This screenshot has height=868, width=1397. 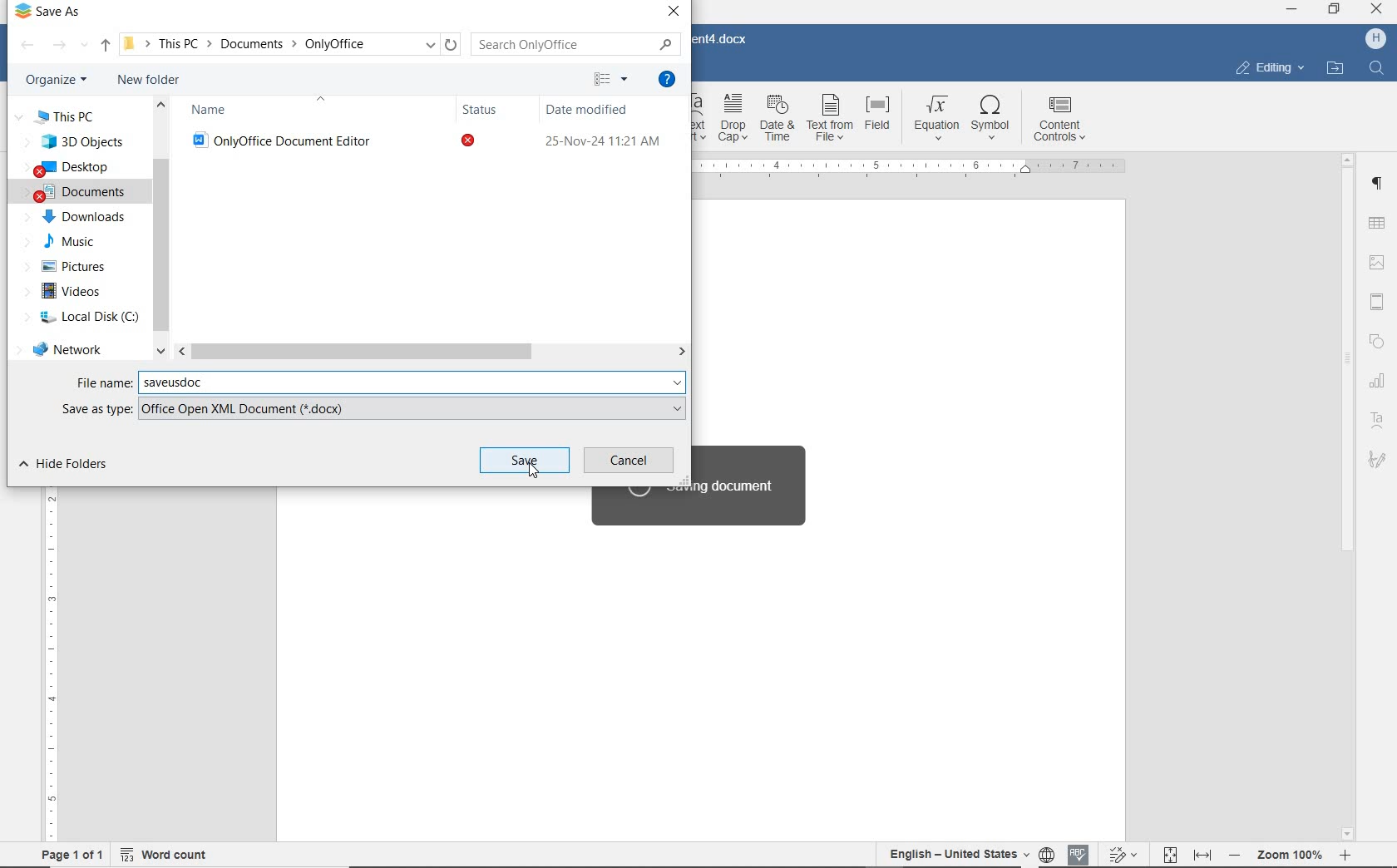 What do you see at coordinates (585, 108) in the screenshot?
I see `Date modified` at bounding box center [585, 108].